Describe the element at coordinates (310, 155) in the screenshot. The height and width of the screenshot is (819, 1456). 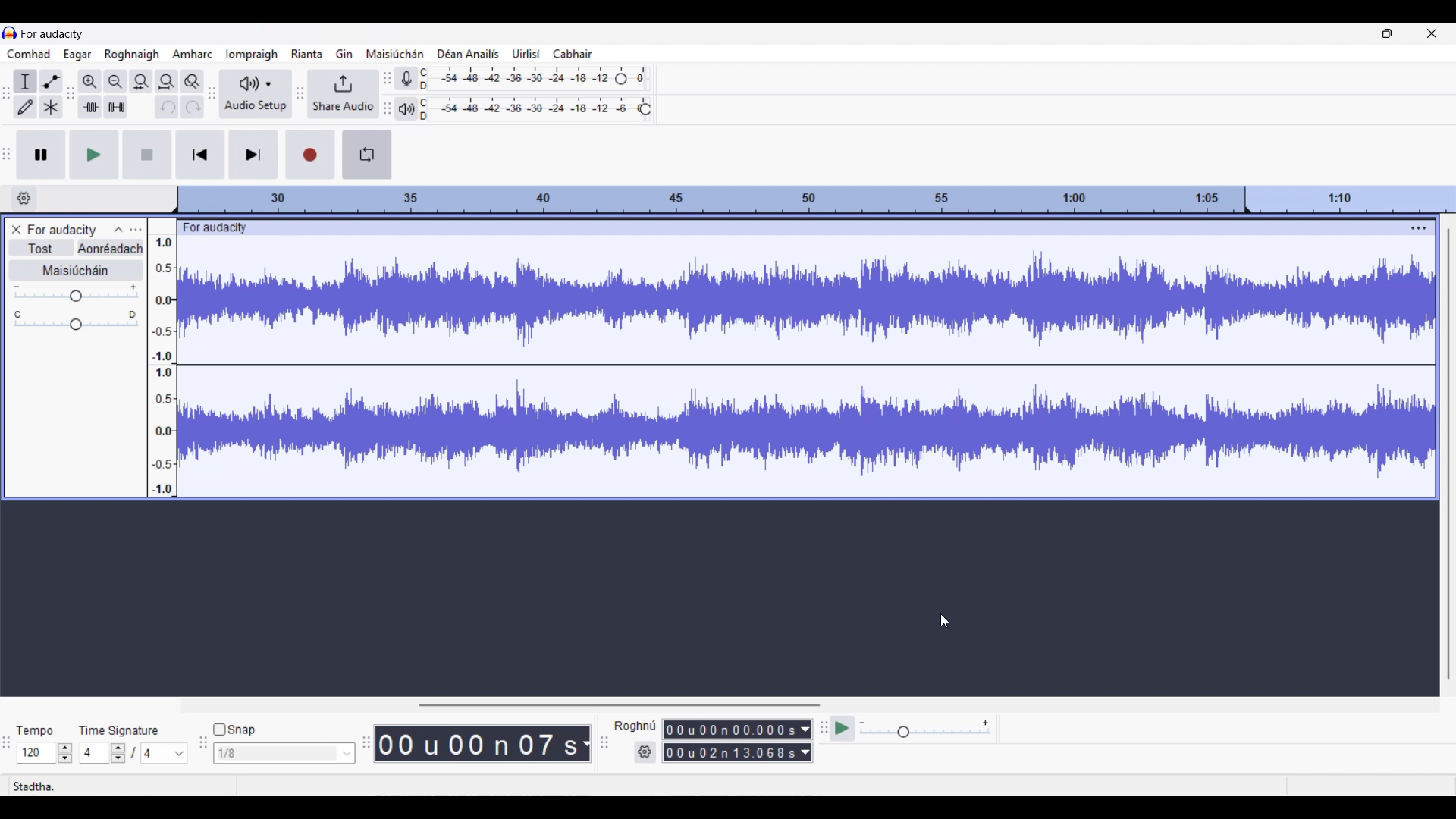
I see `Record/Record new track` at that location.